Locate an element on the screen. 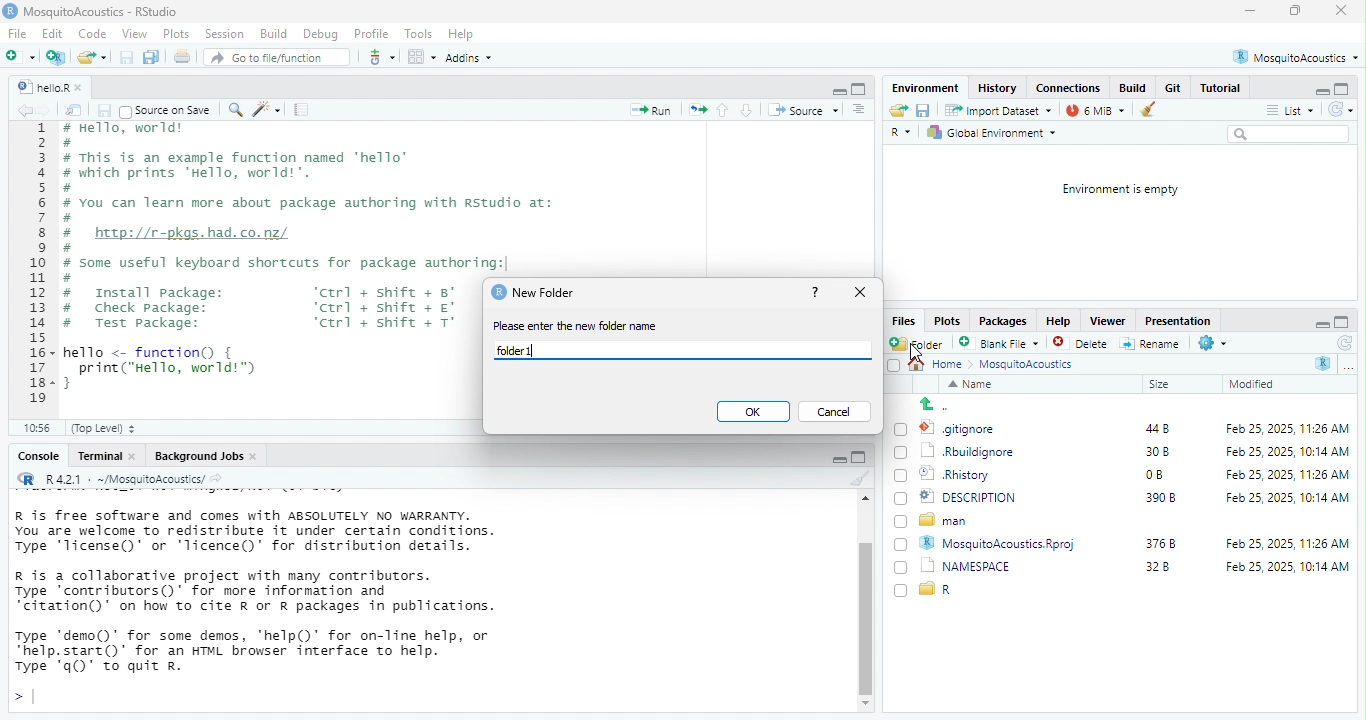 The image size is (1366, 720).  .gitignore is located at coordinates (964, 430).